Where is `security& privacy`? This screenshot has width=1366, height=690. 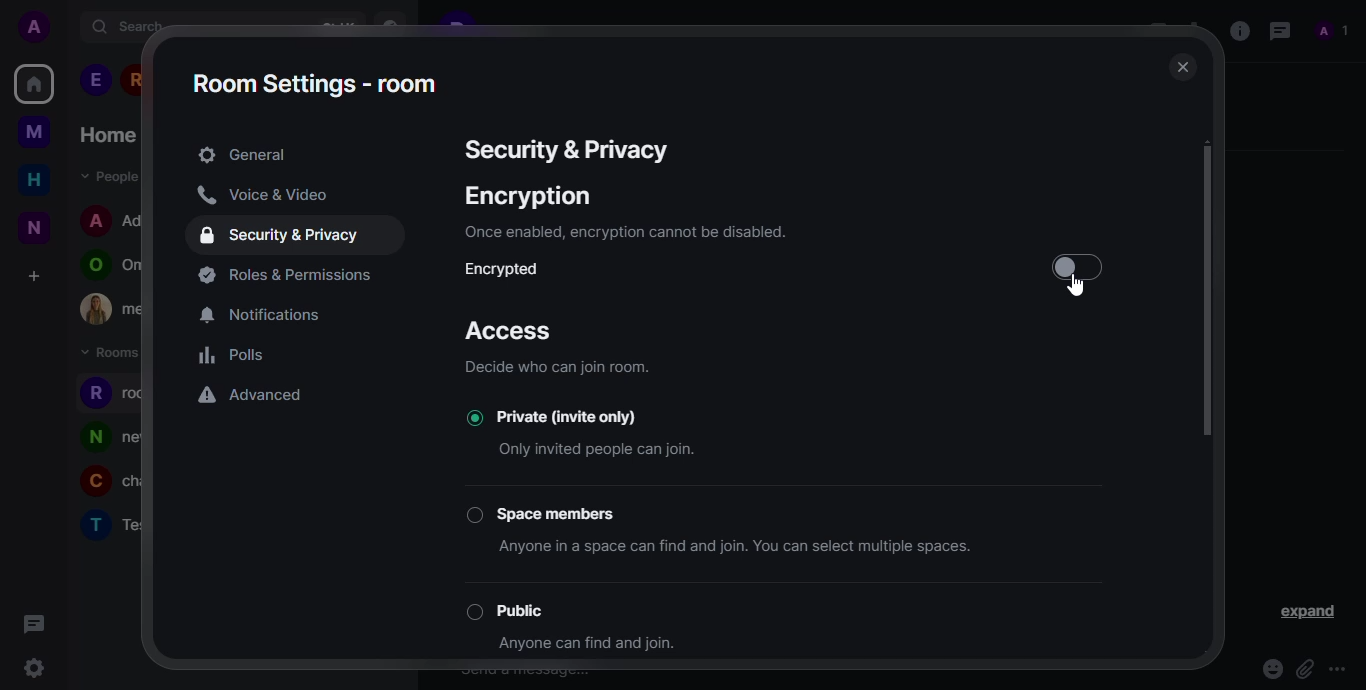 security& privacy is located at coordinates (573, 149).